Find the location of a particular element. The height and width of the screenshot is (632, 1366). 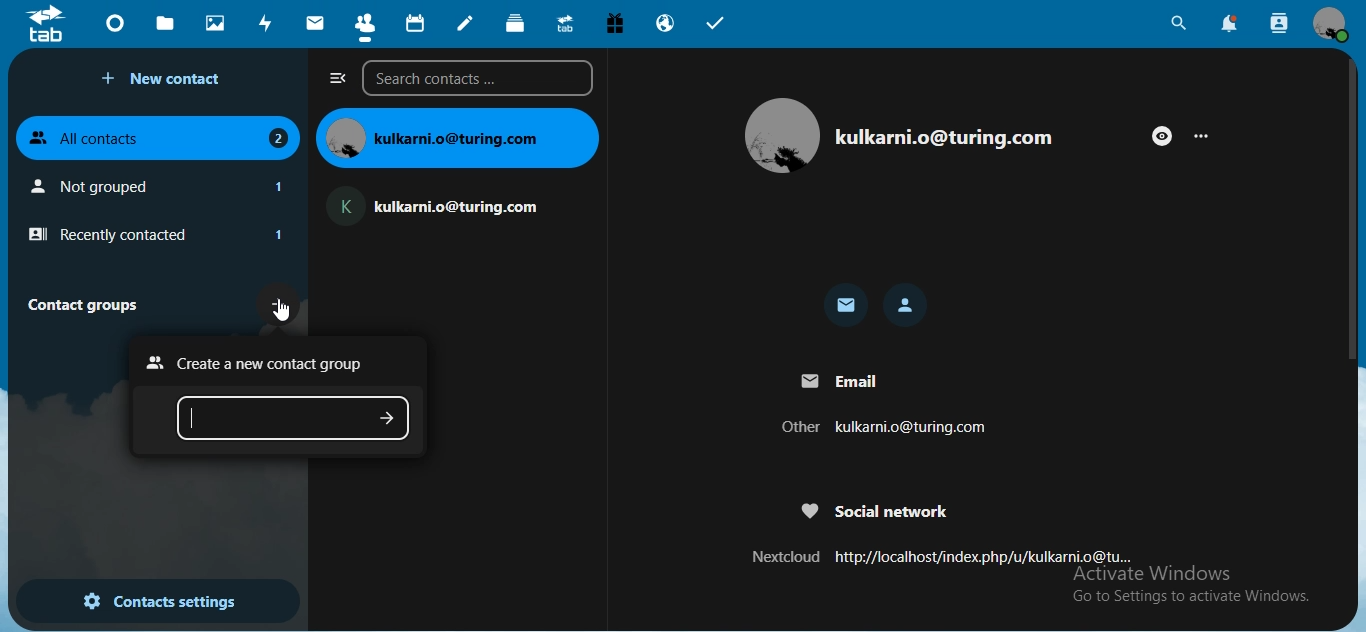

not grouped is located at coordinates (162, 186).